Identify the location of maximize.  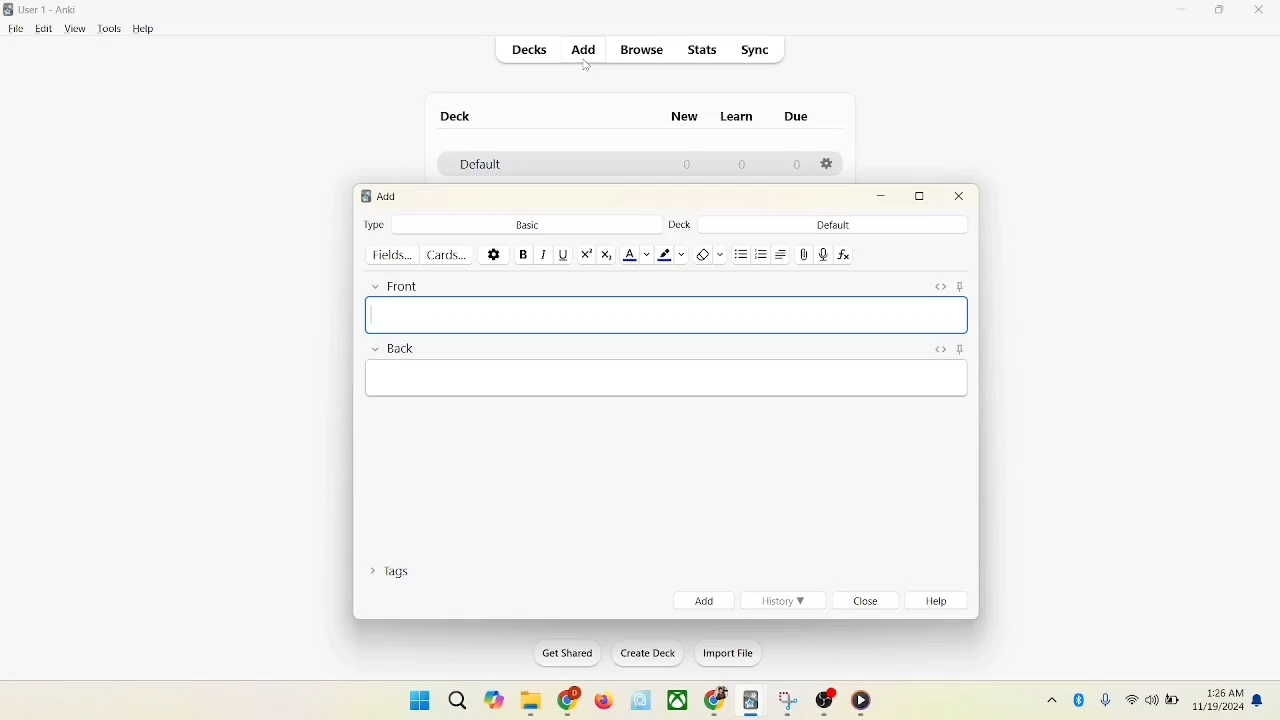
(1222, 13).